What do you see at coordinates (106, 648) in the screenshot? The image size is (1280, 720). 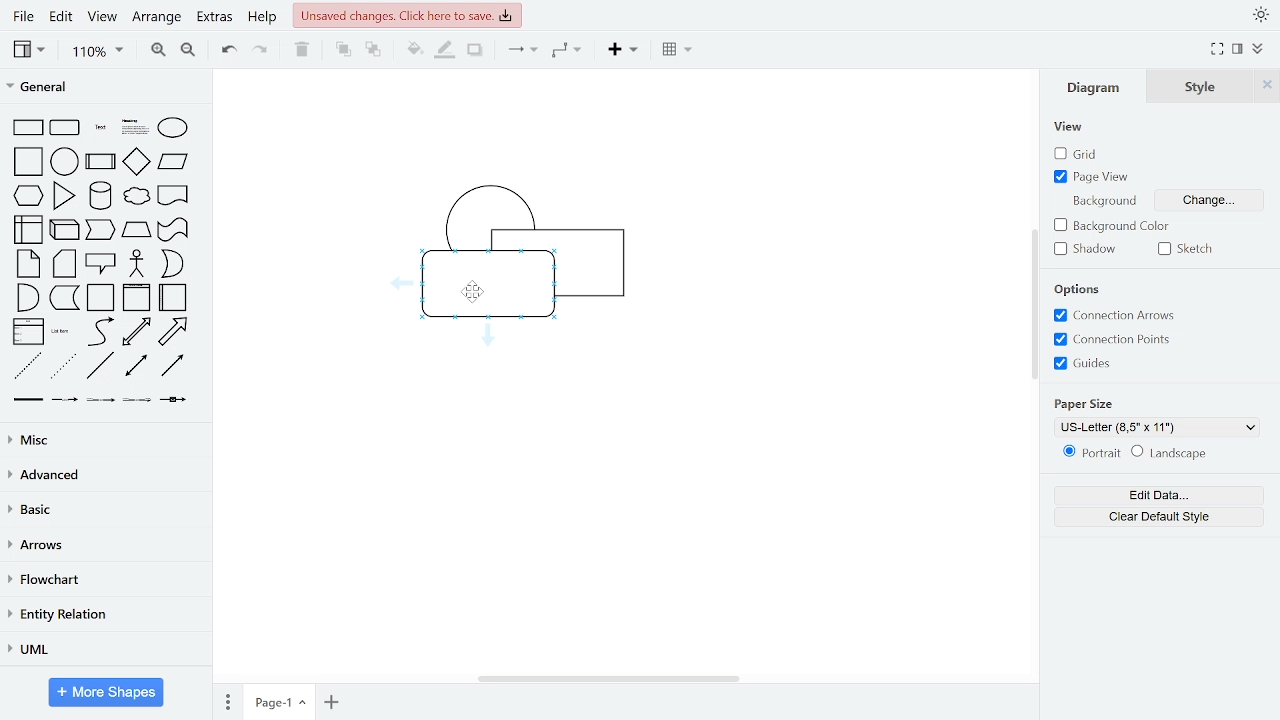 I see `UML` at bounding box center [106, 648].